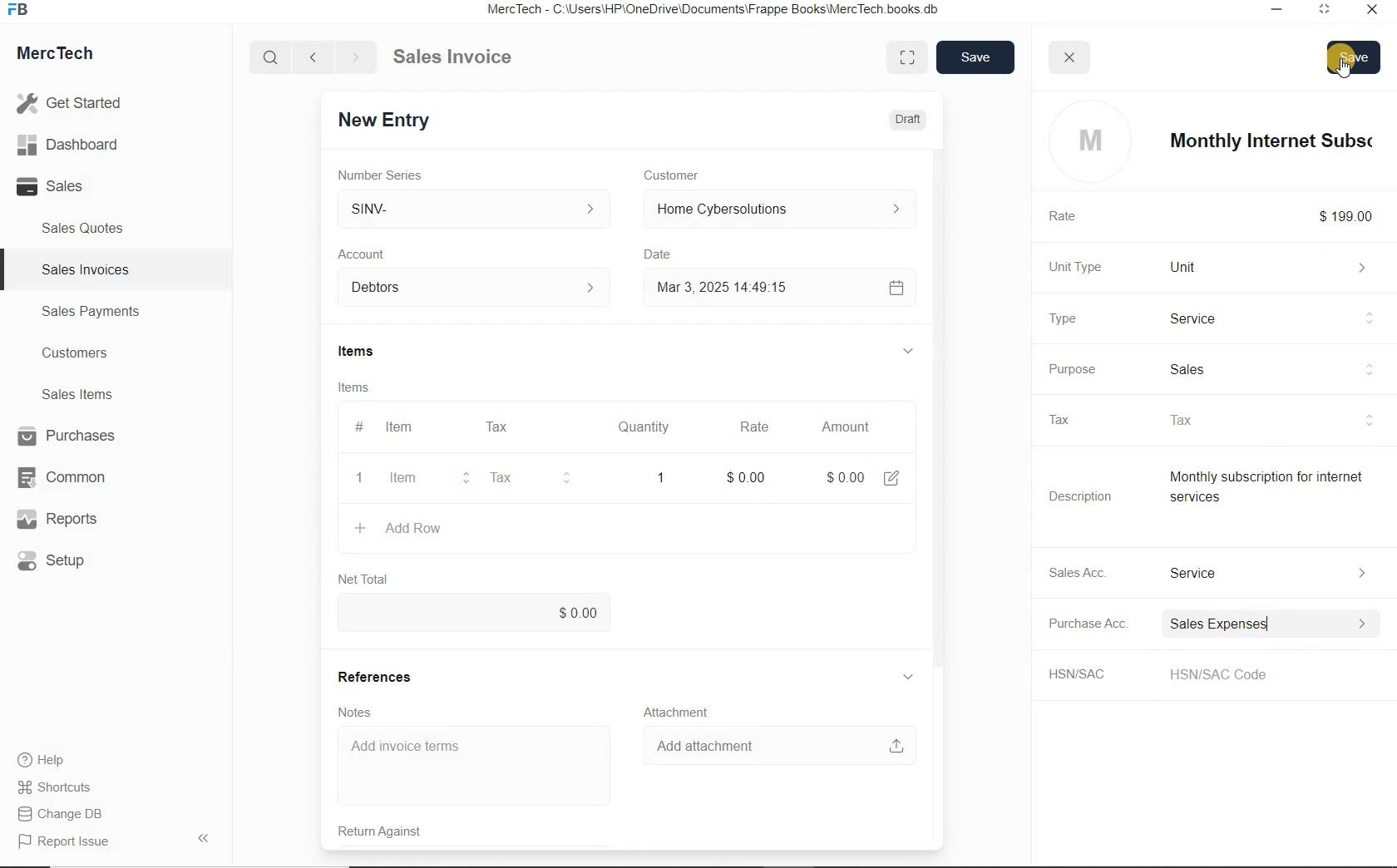 Image resolution: width=1397 pixels, height=868 pixels. Describe the element at coordinates (1347, 69) in the screenshot. I see `cursor` at that location.